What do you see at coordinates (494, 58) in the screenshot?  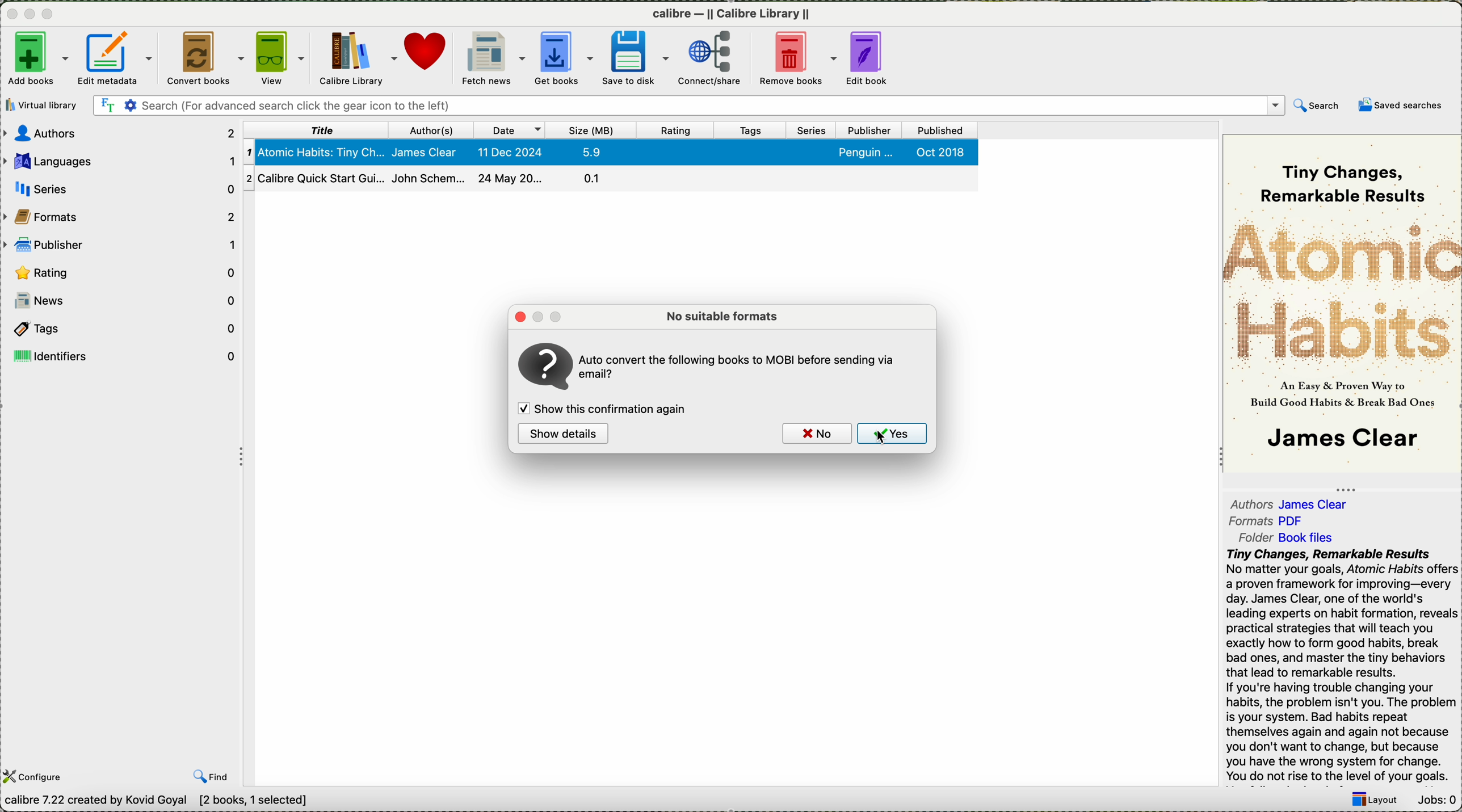 I see `fetch news` at bounding box center [494, 58].